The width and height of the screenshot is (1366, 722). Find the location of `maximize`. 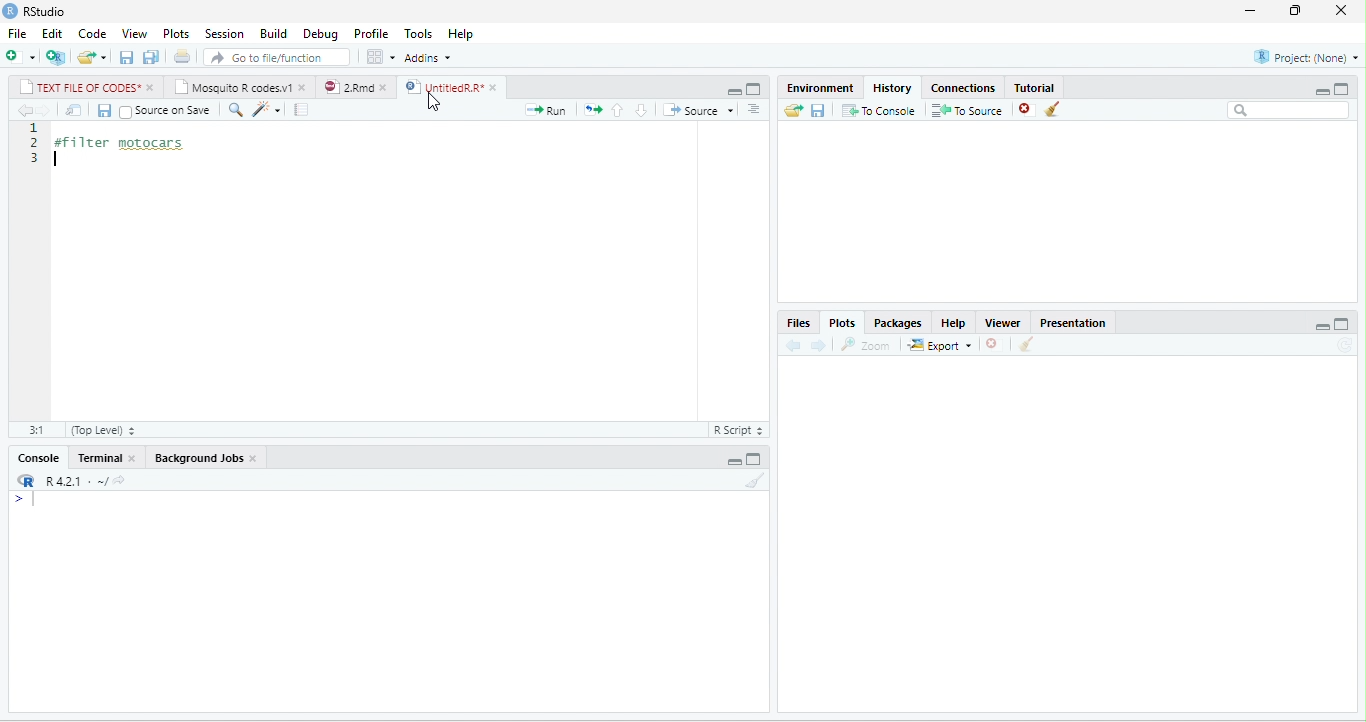

maximize is located at coordinates (1342, 324).